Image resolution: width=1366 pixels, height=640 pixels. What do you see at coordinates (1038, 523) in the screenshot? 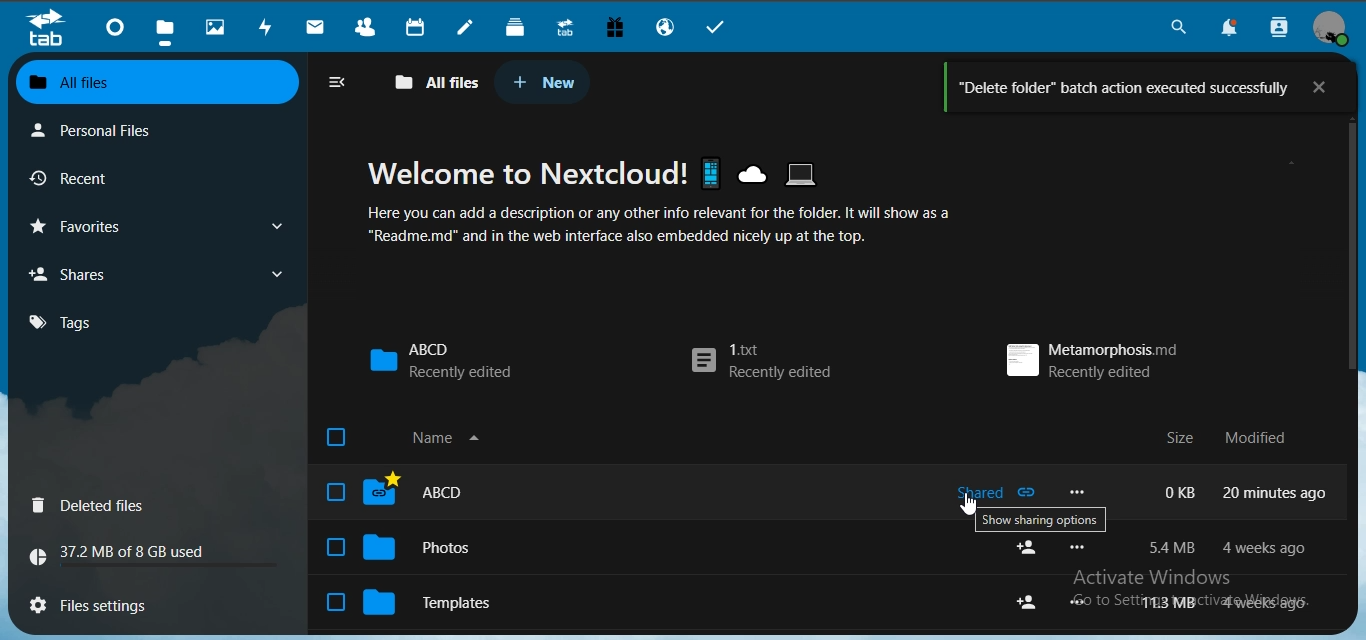
I see `Show sharing options` at bounding box center [1038, 523].